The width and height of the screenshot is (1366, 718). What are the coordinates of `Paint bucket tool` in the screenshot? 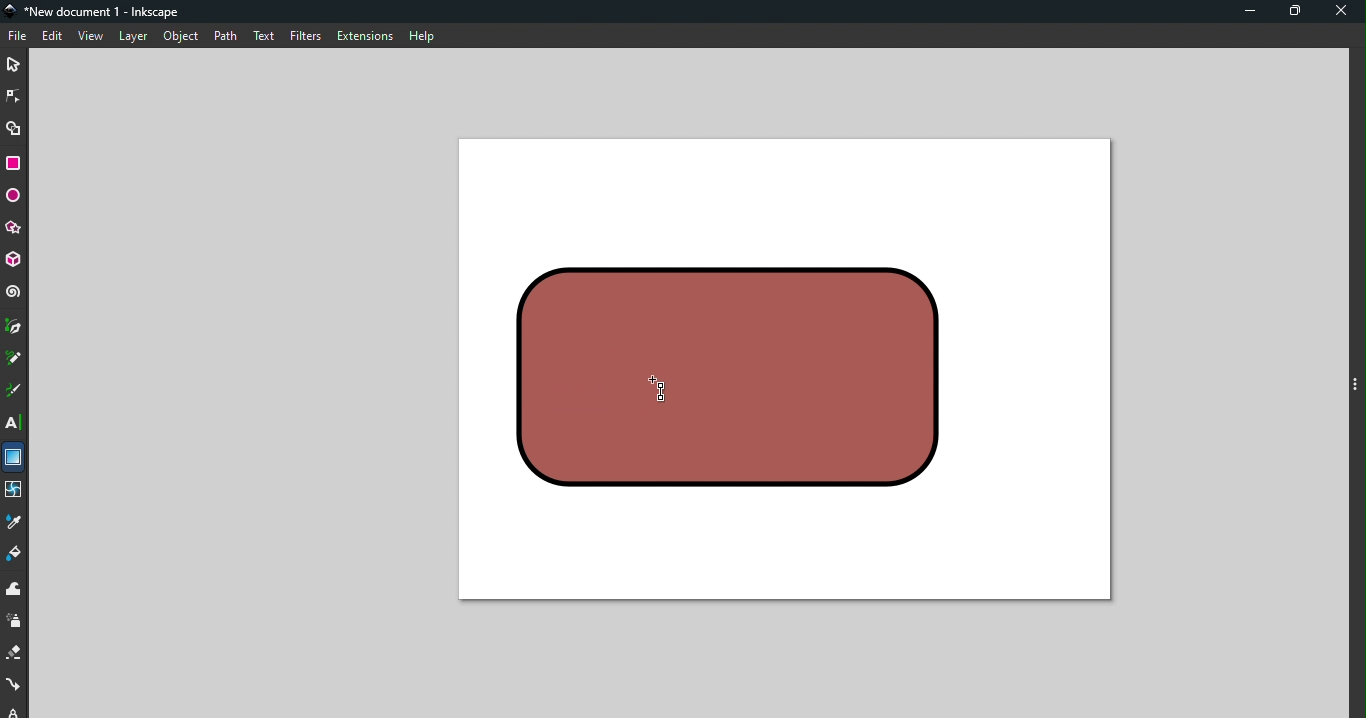 It's located at (18, 557).